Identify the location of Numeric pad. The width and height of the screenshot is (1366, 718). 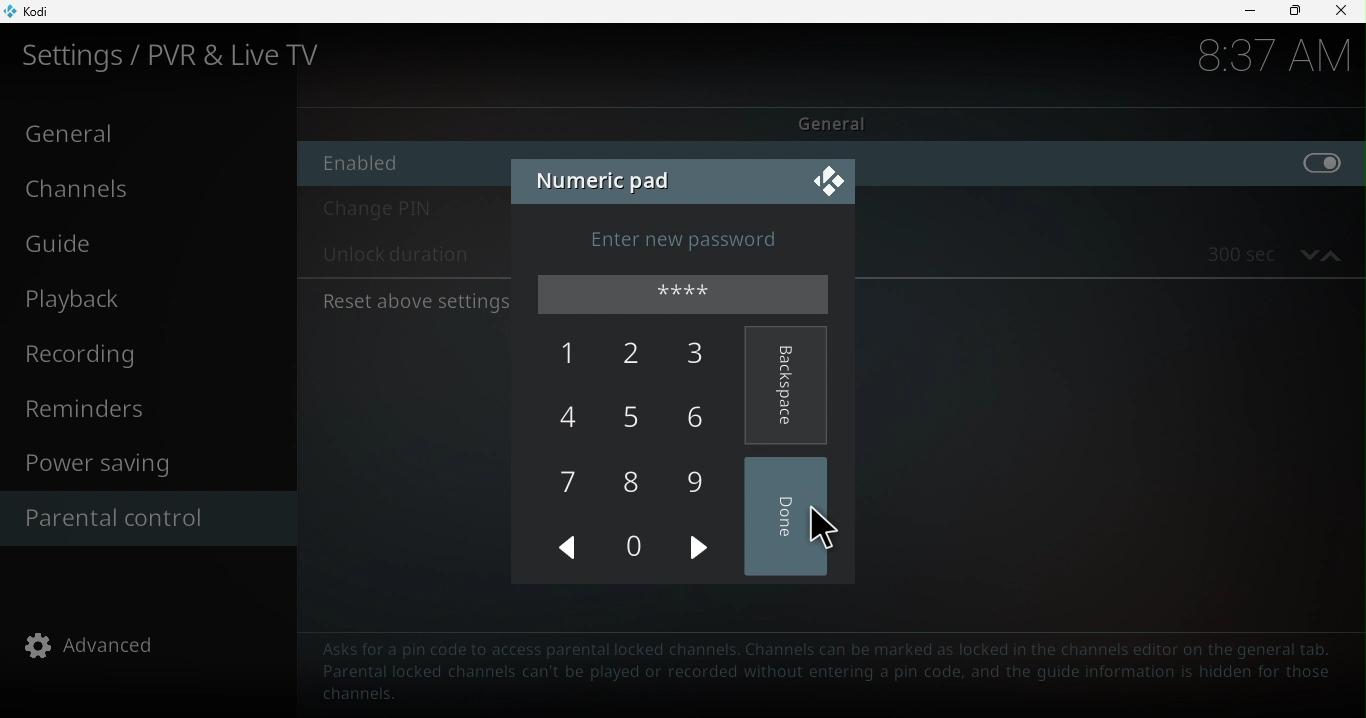
(605, 177).